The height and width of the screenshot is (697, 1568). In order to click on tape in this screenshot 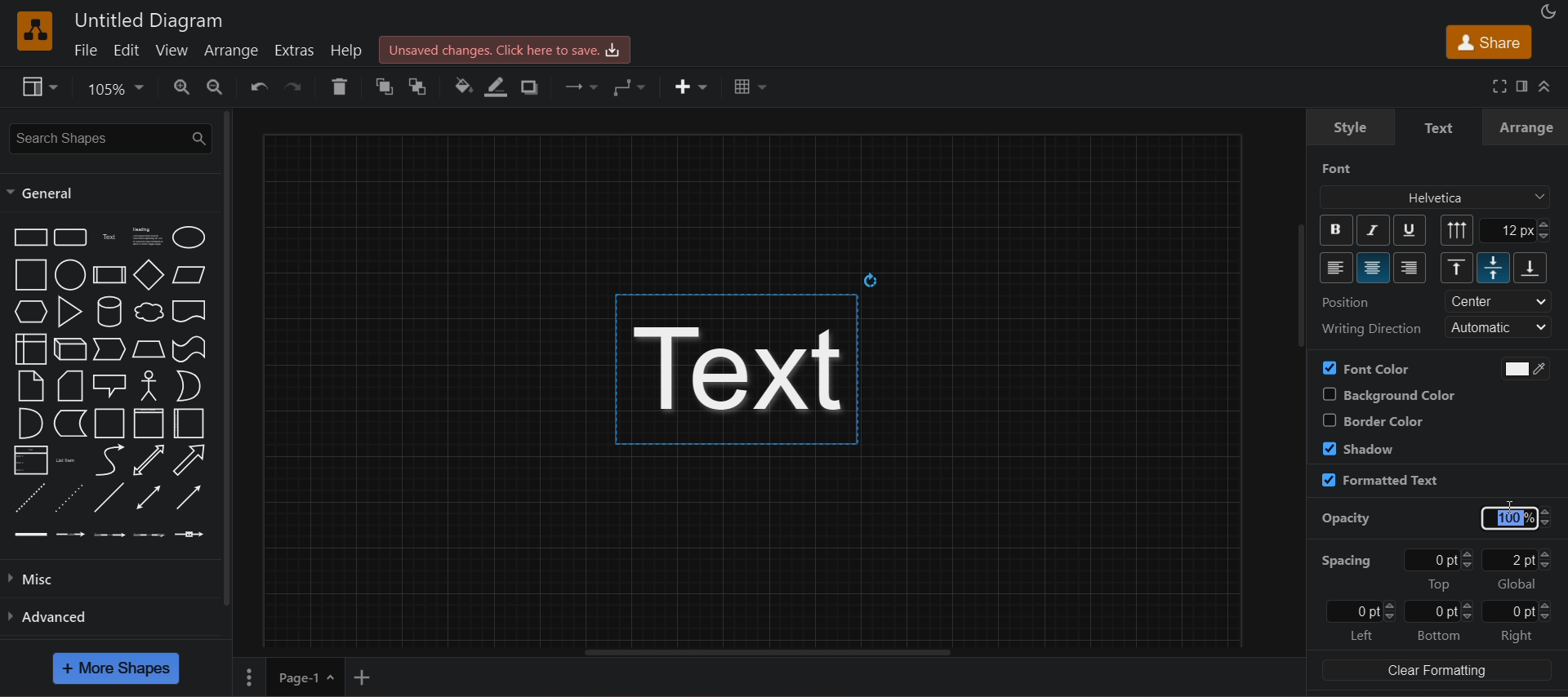, I will do `click(190, 349)`.